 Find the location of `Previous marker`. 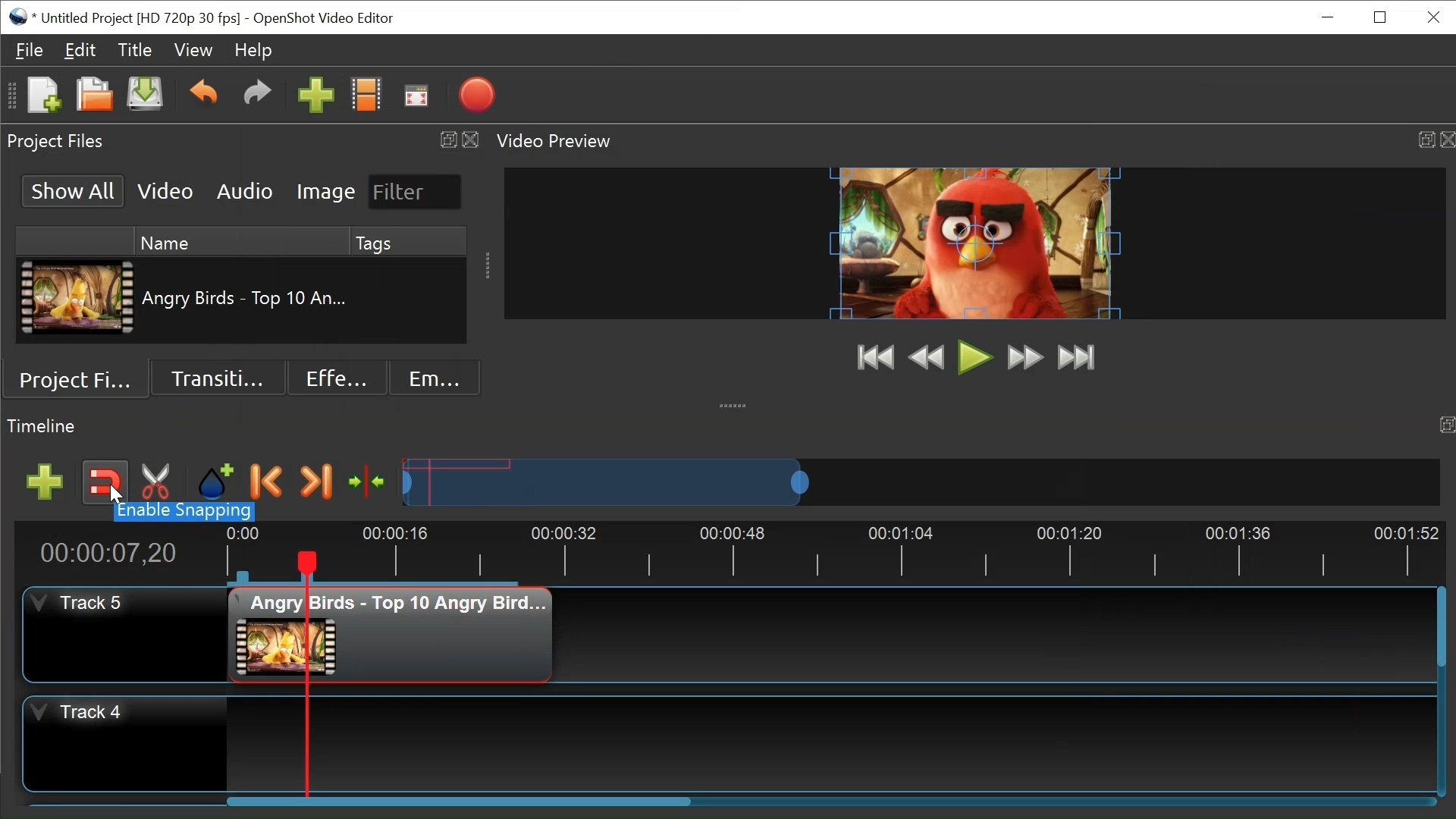

Previous marker is located at coordinates (266, 481).